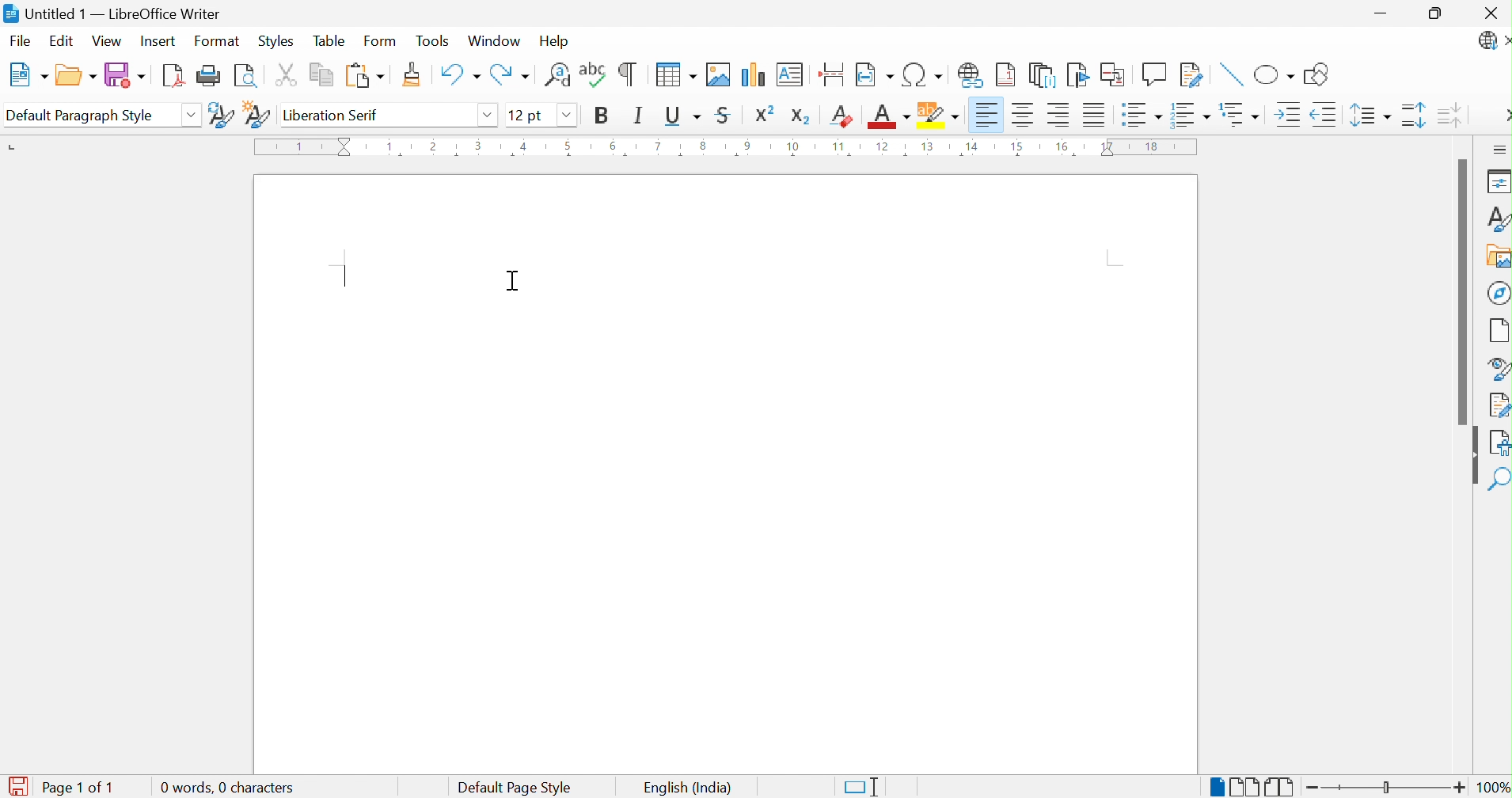 Image resolution: width=1512 pixels, height=798 pixels. Describe the element at coordinates (77, 74) in the screenshot. I see `Open` at that location.